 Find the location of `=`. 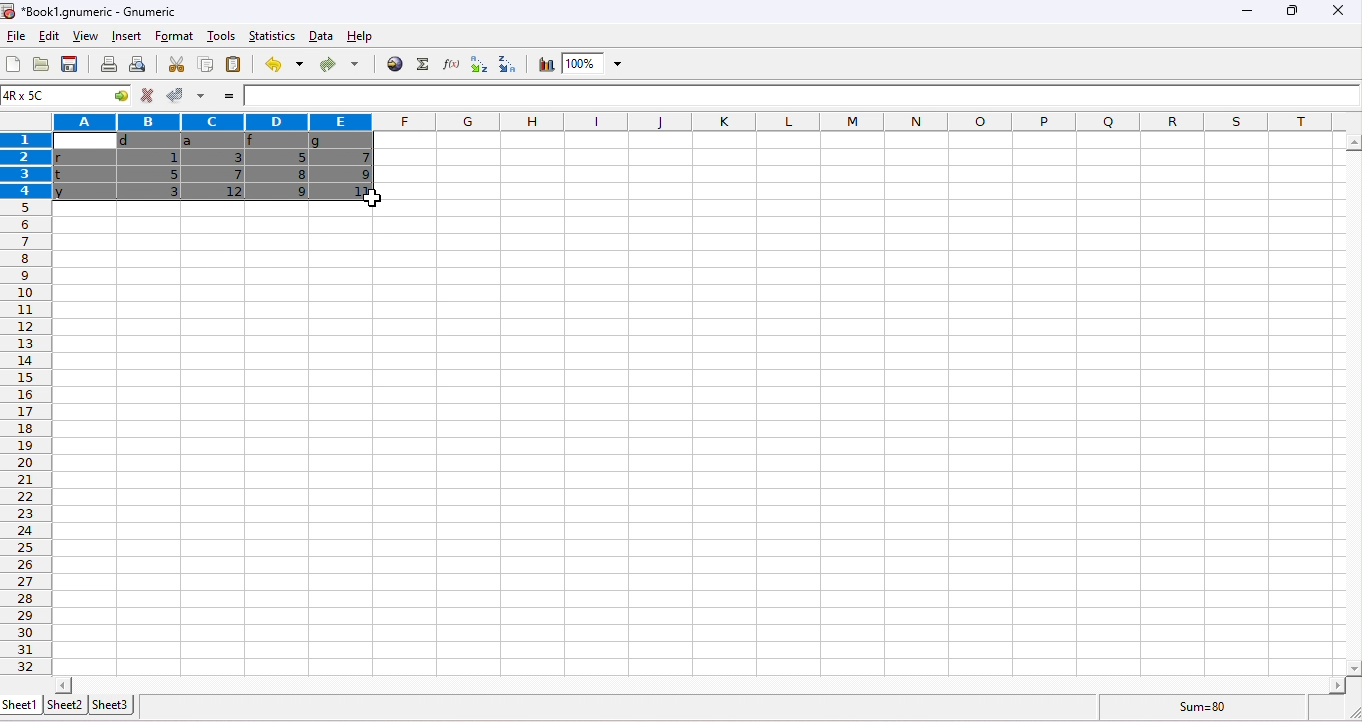

= is located at coordinates (231, 96).